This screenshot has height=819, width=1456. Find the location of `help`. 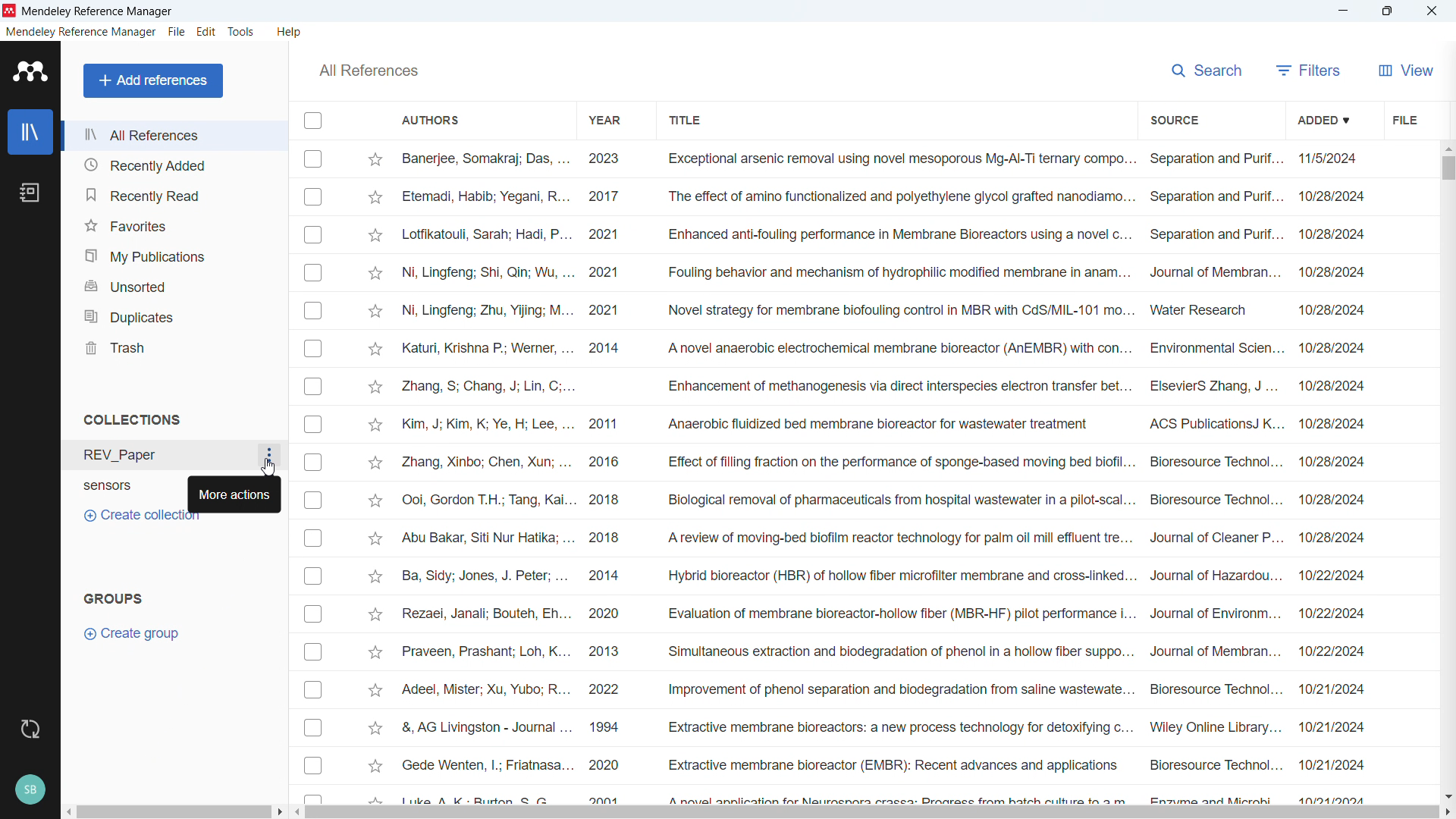

help is located at coordinates (291, 31).